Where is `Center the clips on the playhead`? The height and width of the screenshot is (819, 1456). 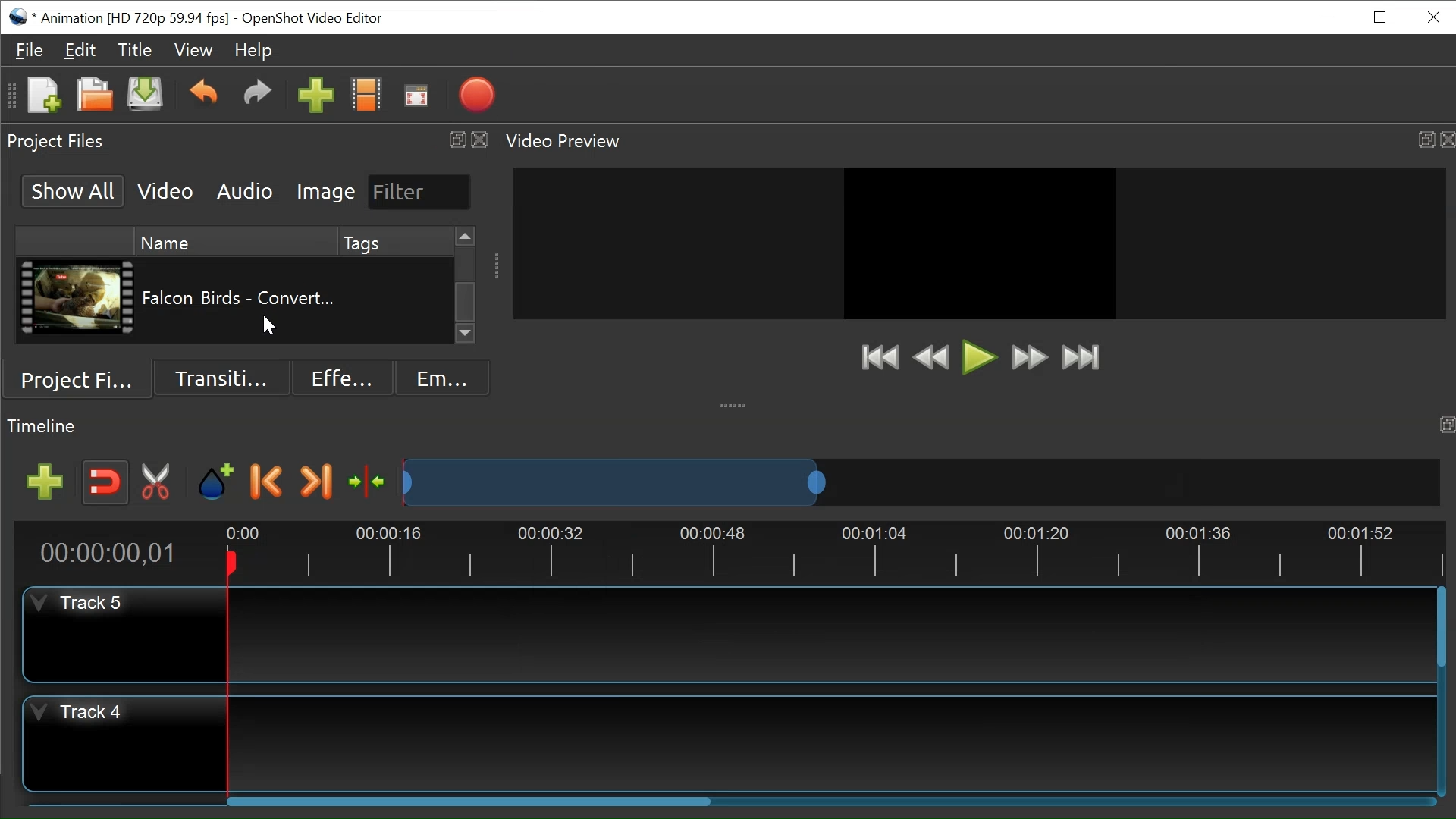
Center the clips on the playhead is located at coordinates (366, 482).